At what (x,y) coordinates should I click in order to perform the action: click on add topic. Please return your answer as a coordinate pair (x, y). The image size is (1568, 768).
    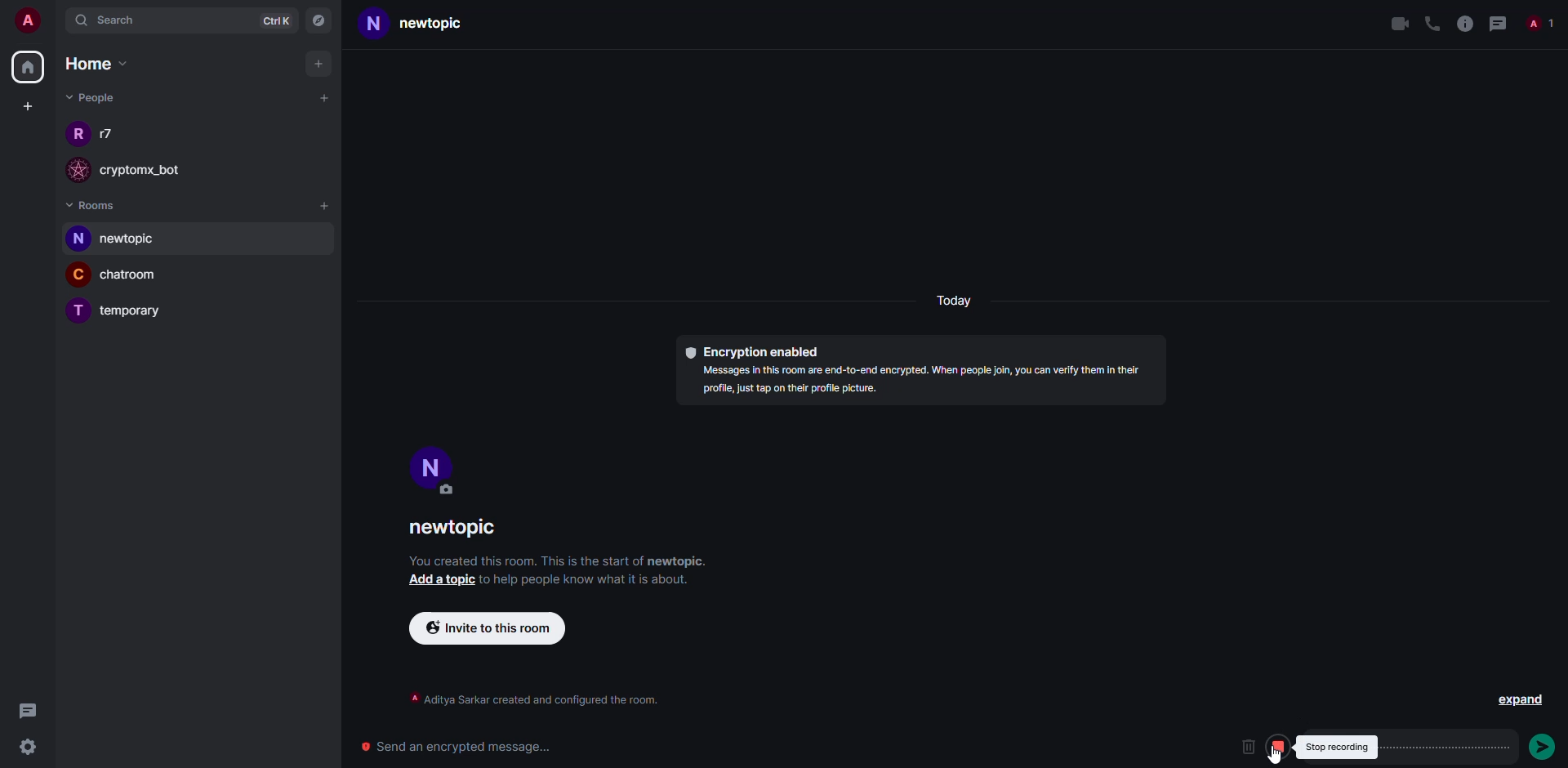
    Looking at the image, I should click on (442, 581).